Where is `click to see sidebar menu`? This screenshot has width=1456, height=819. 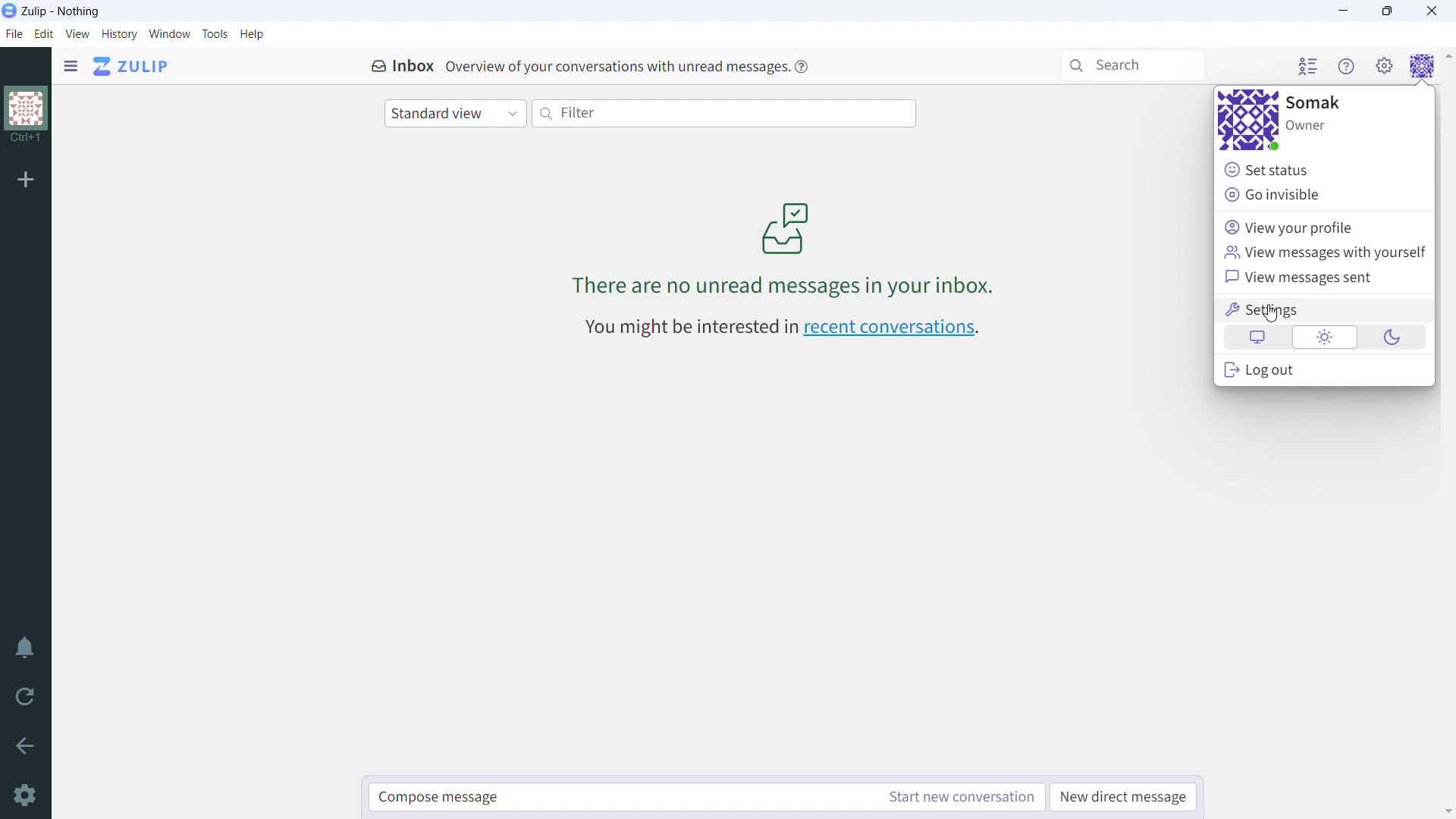
click to see sidebar menu is located at coordinates (71, 66).